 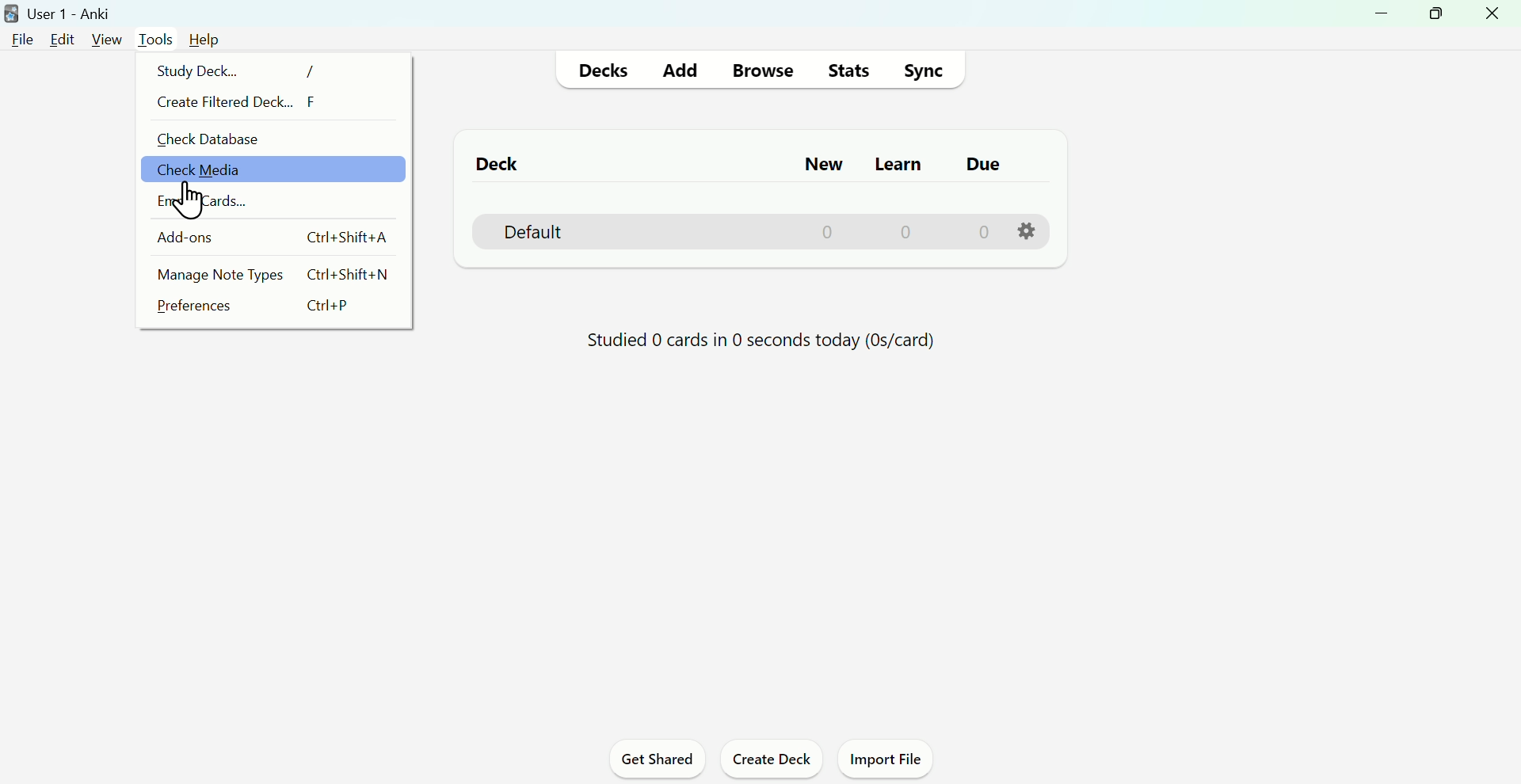 What do you see at coordinates (985, 166) in the screenshot?
I see `Do` at bounding box center [985, 166].